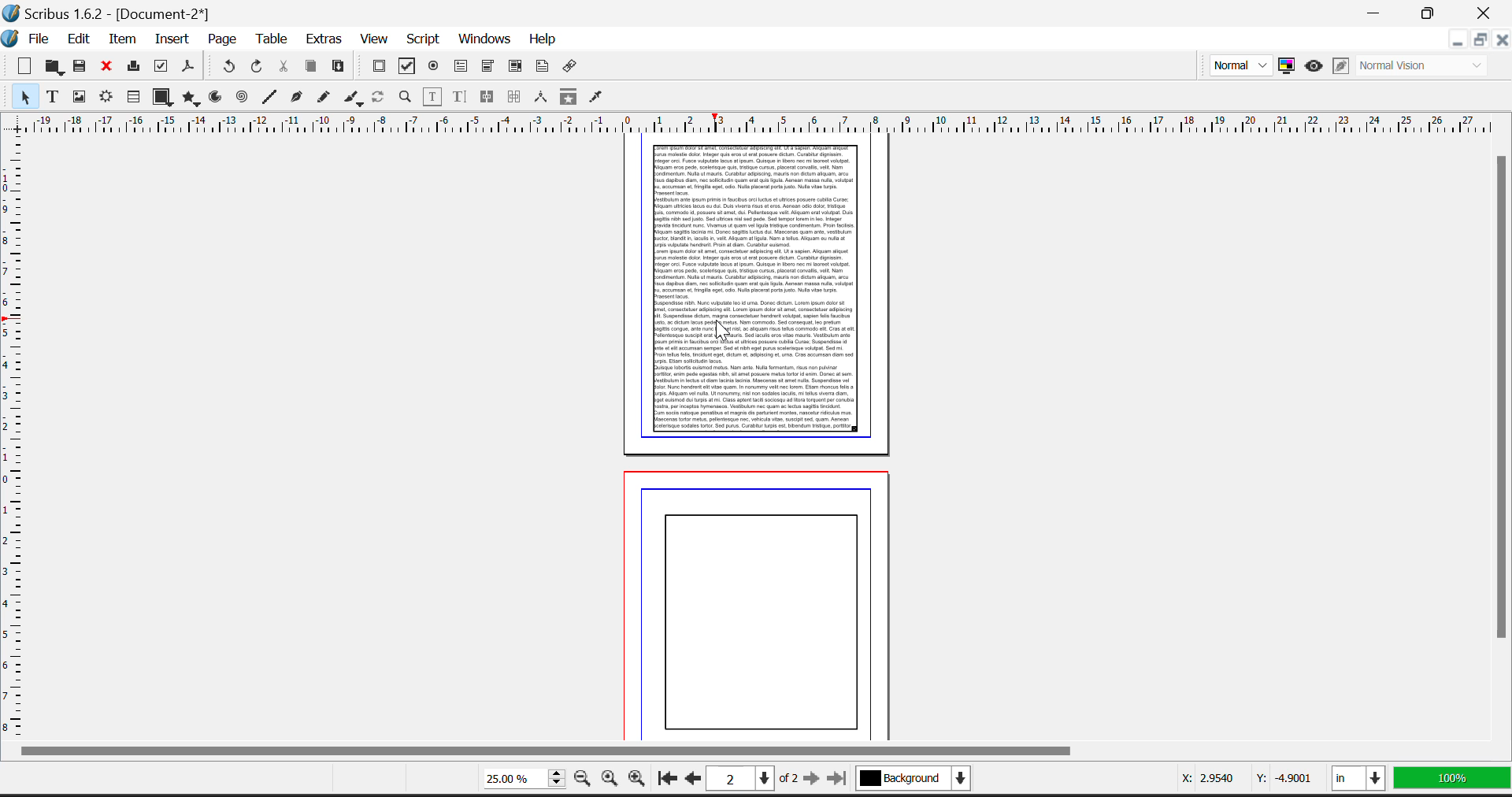 This screenshot has height=797, width=1512. Describe the element at coordinates (762, 121) in the screenshot. I see `Vertical Page Margins` at that location.